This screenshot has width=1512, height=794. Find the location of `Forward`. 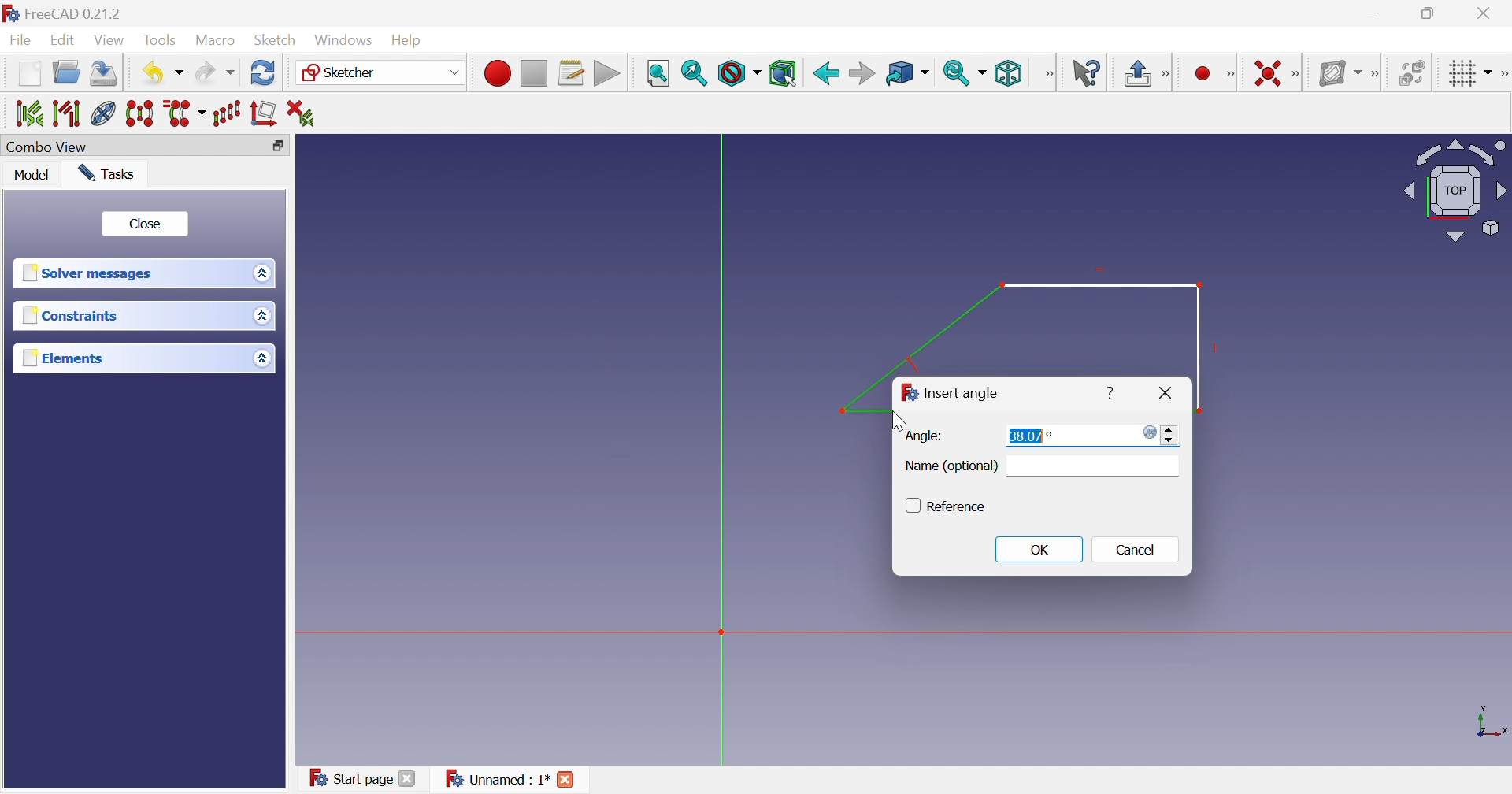

Forward is located at coordinates (862, 72).